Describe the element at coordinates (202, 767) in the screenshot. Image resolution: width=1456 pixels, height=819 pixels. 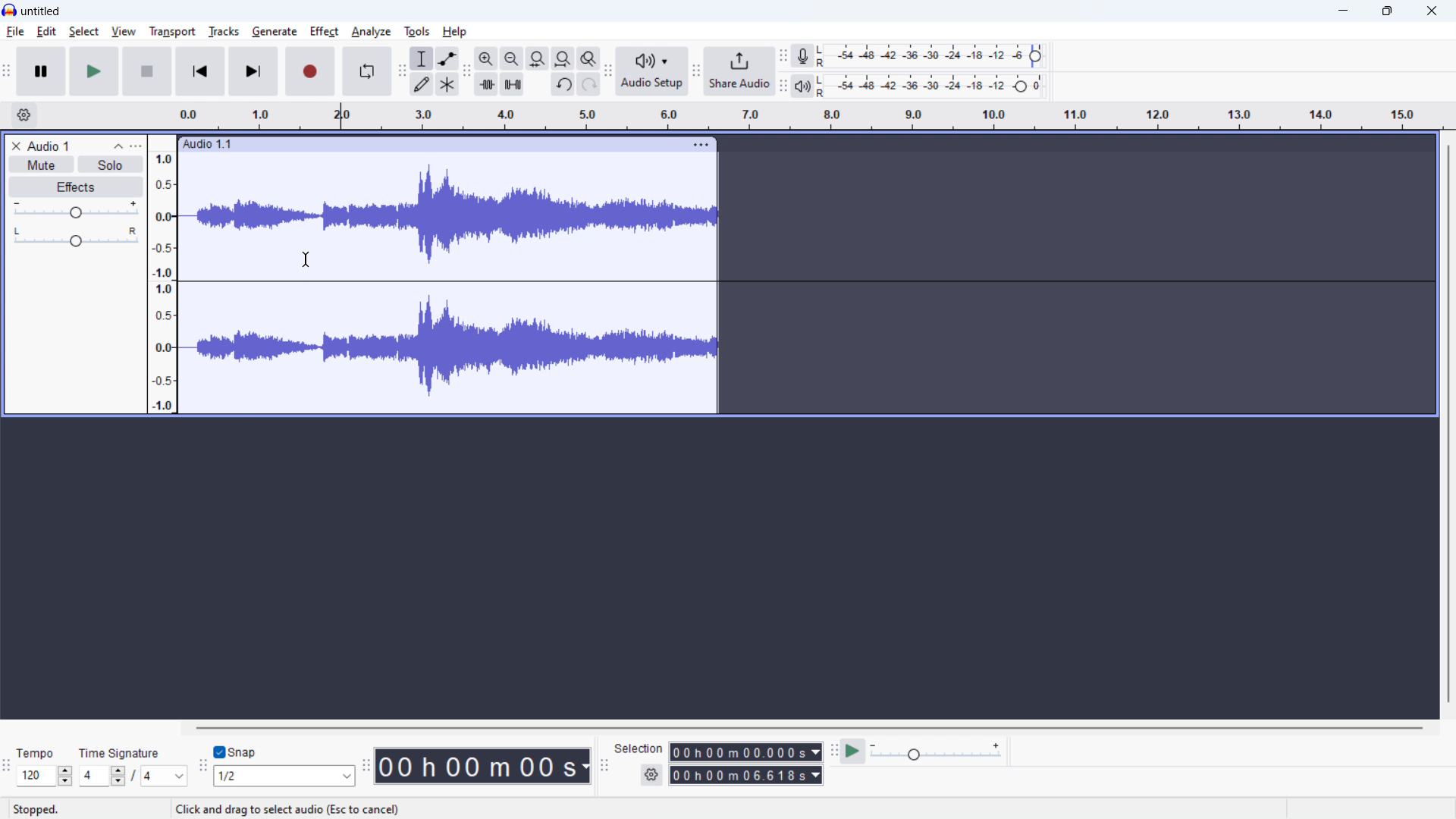
I see `snapping toolbar` at that location.